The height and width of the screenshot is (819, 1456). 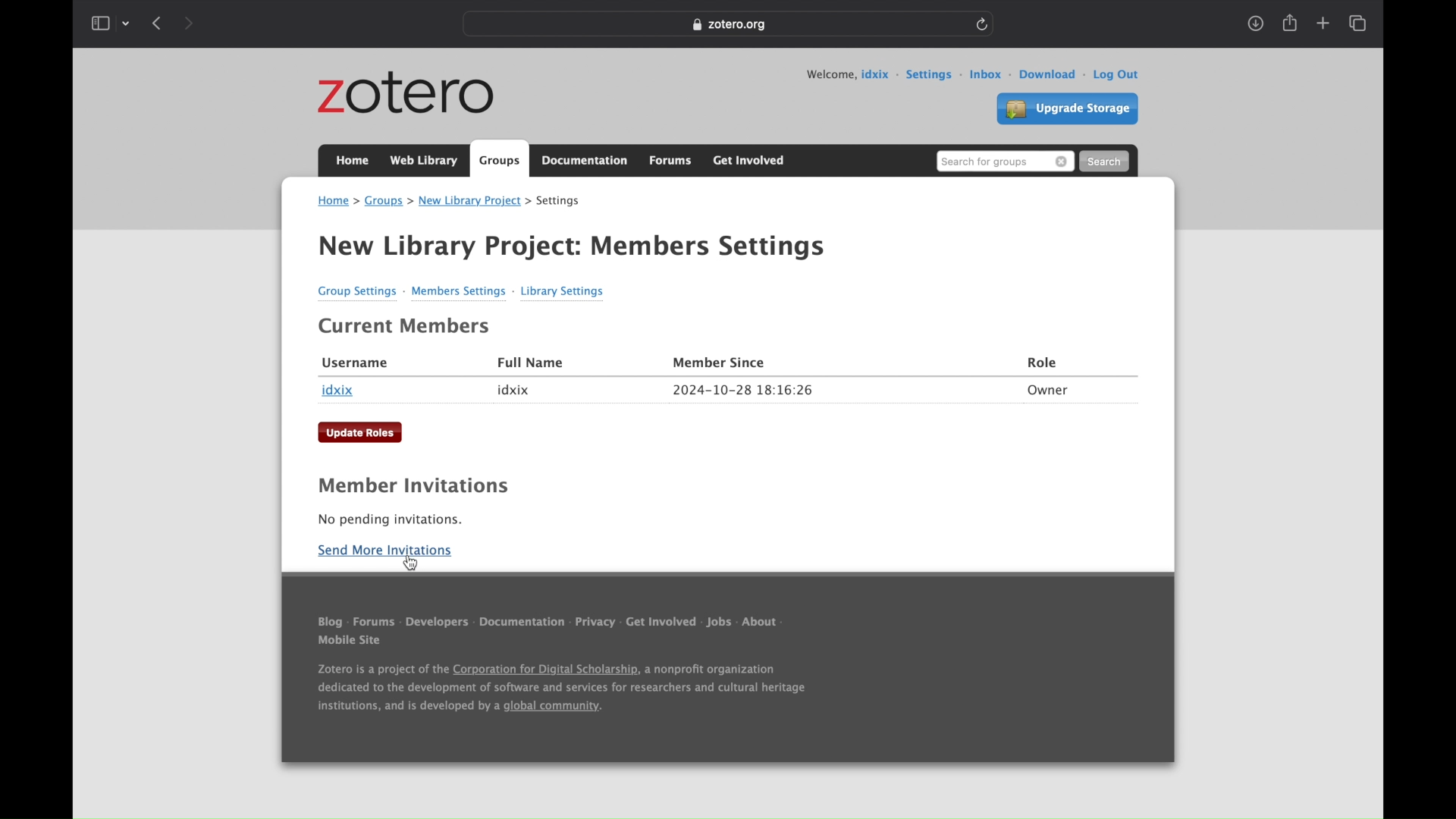 I want to click on about, so click(x=764, y=621).